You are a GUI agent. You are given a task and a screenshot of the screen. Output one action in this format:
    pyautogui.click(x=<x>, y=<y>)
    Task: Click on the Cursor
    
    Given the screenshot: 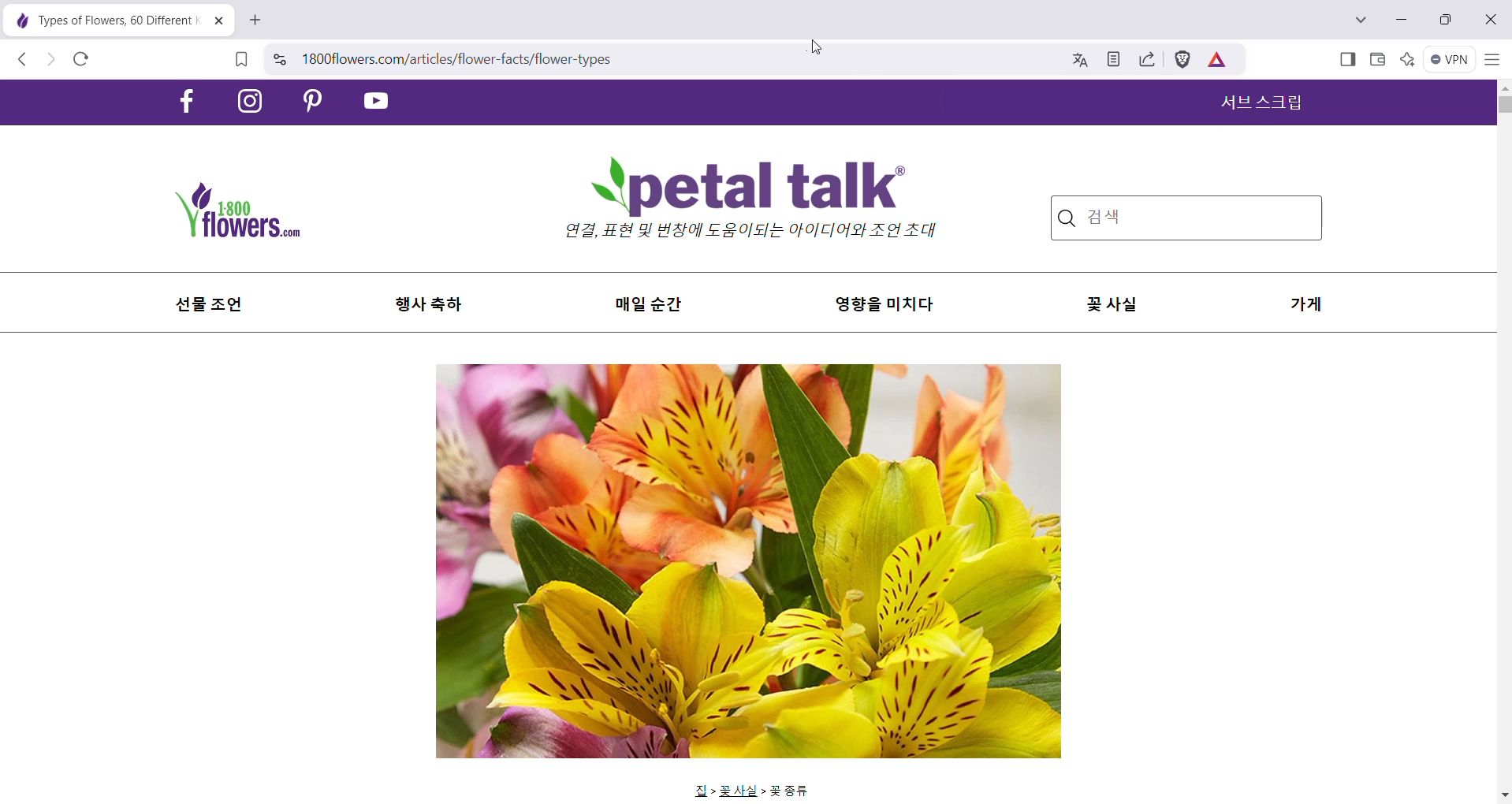 What is the action you would take?
    pyautogui.click(x=824, y=47)
    